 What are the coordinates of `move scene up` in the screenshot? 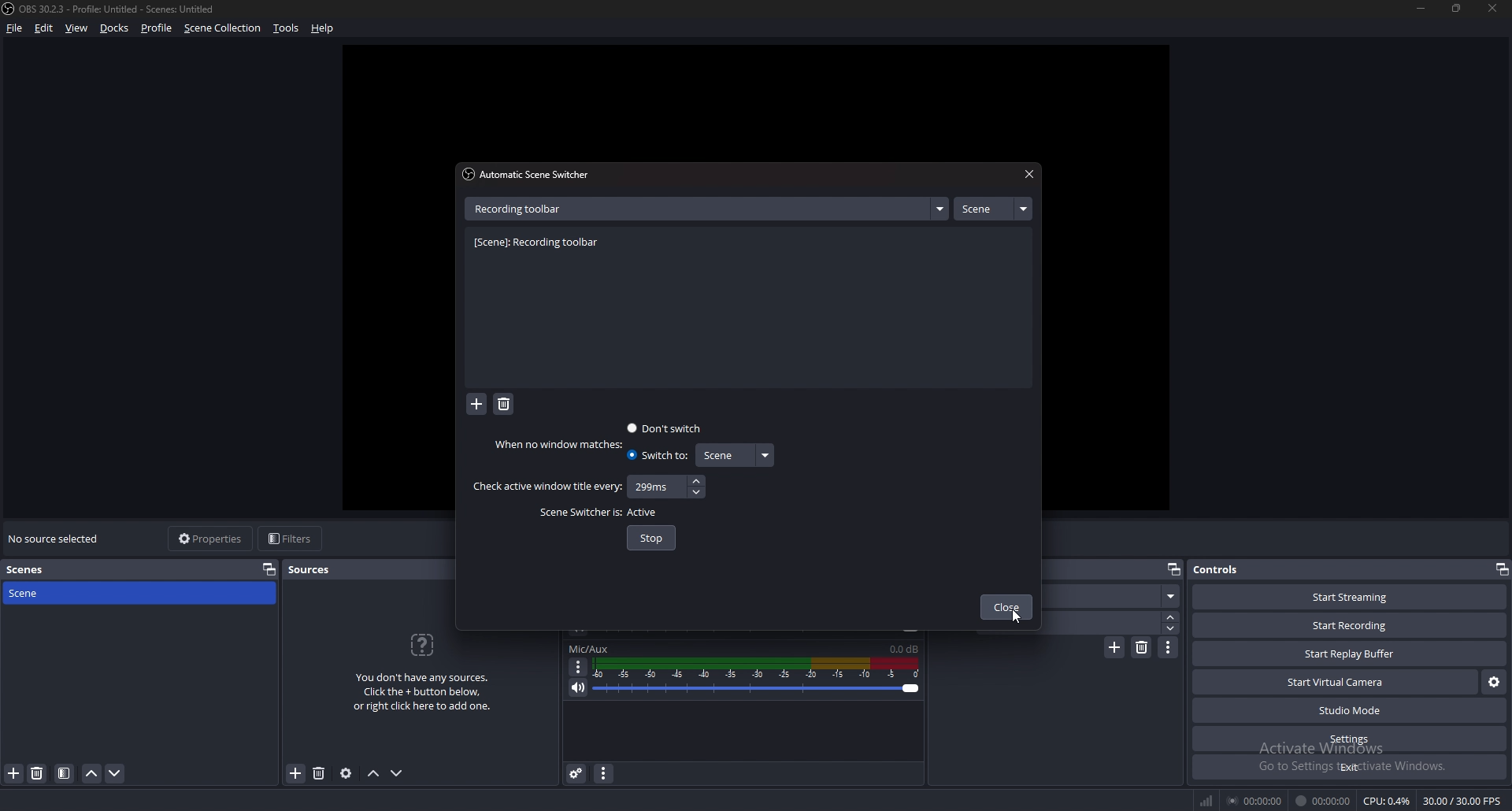 It's located at (93, 773).